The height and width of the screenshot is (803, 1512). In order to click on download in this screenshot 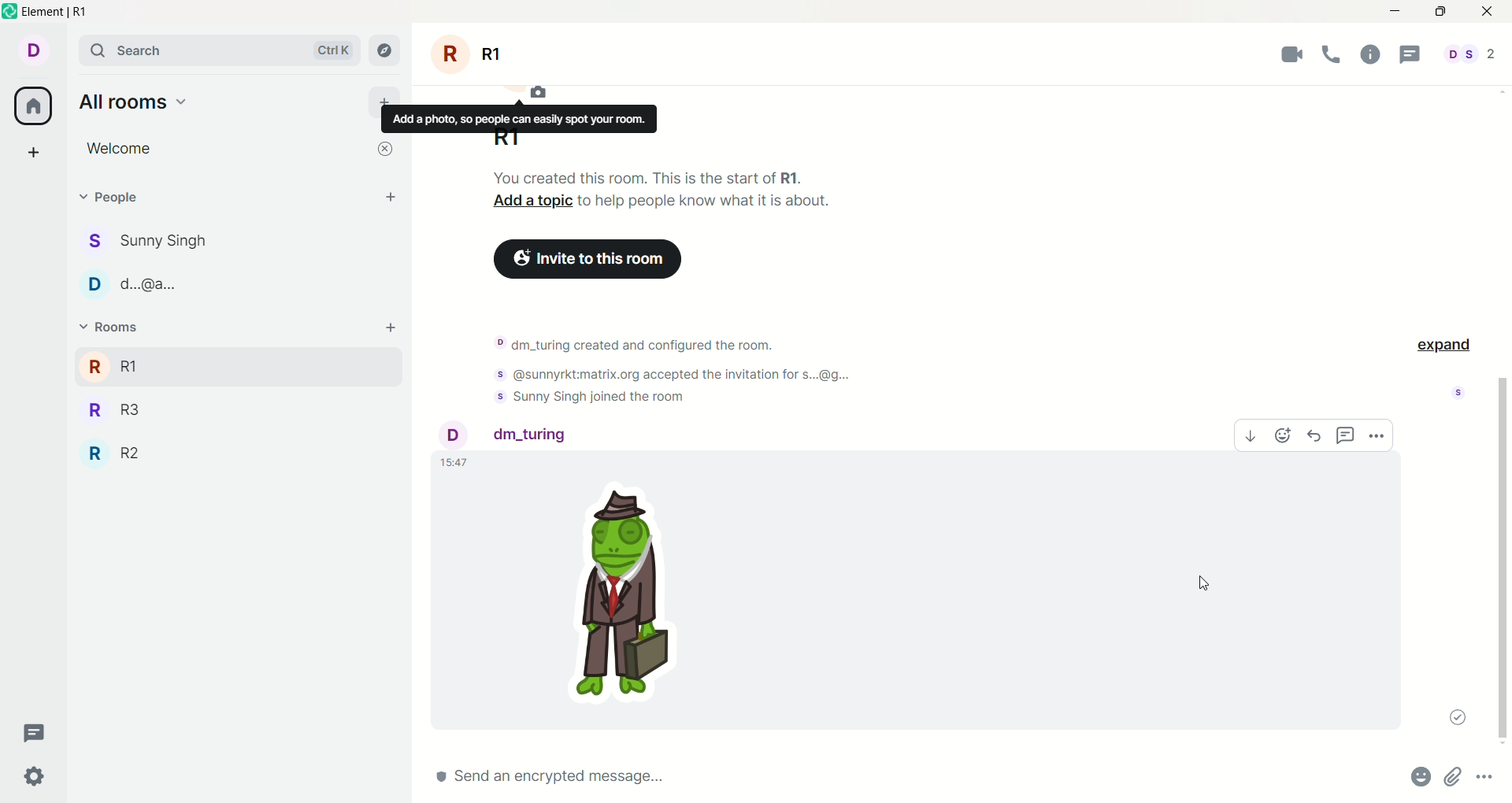, I will do `click(1251, 435)`.